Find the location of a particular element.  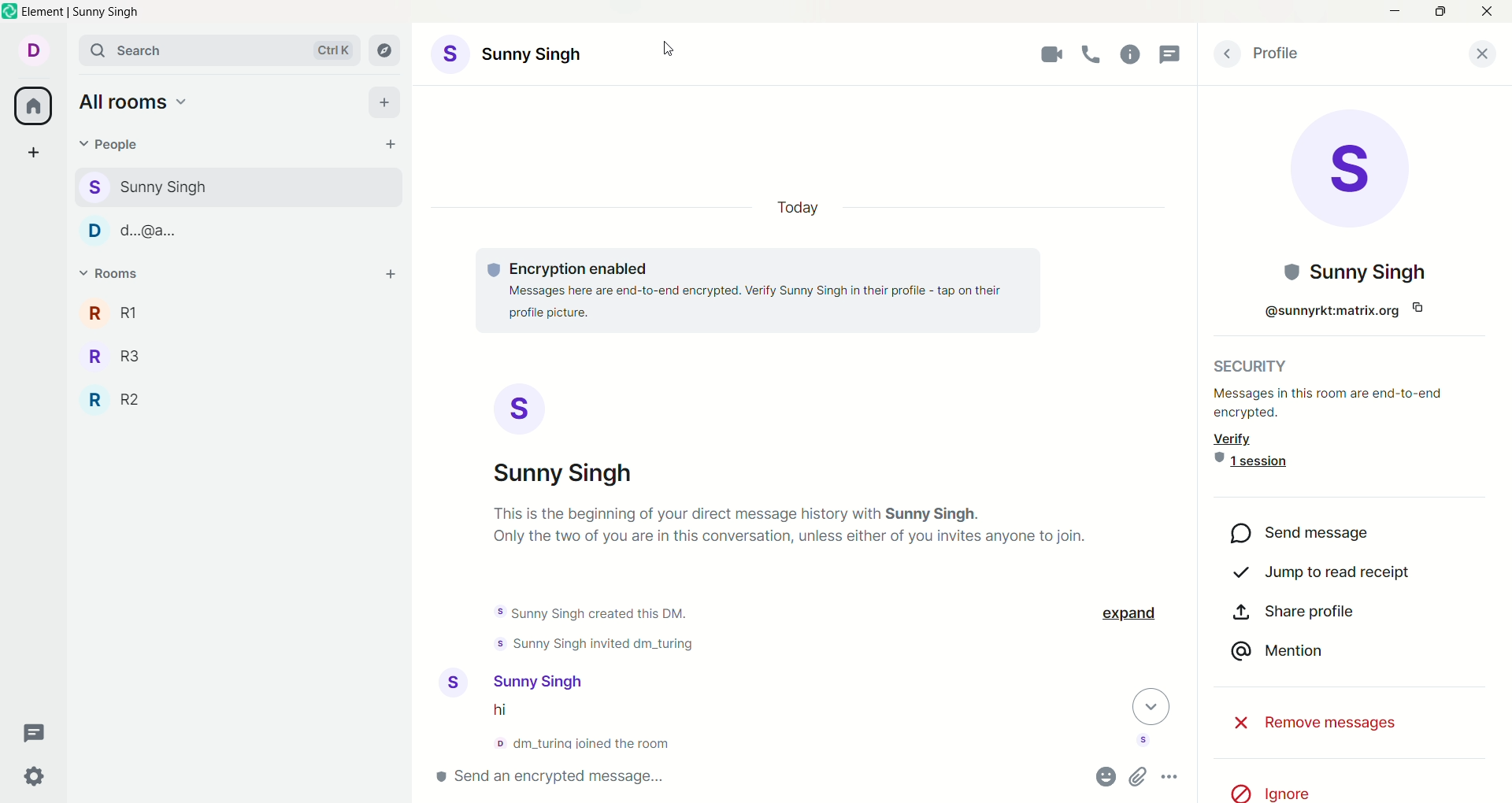

text is located at coordinates (779, 294).